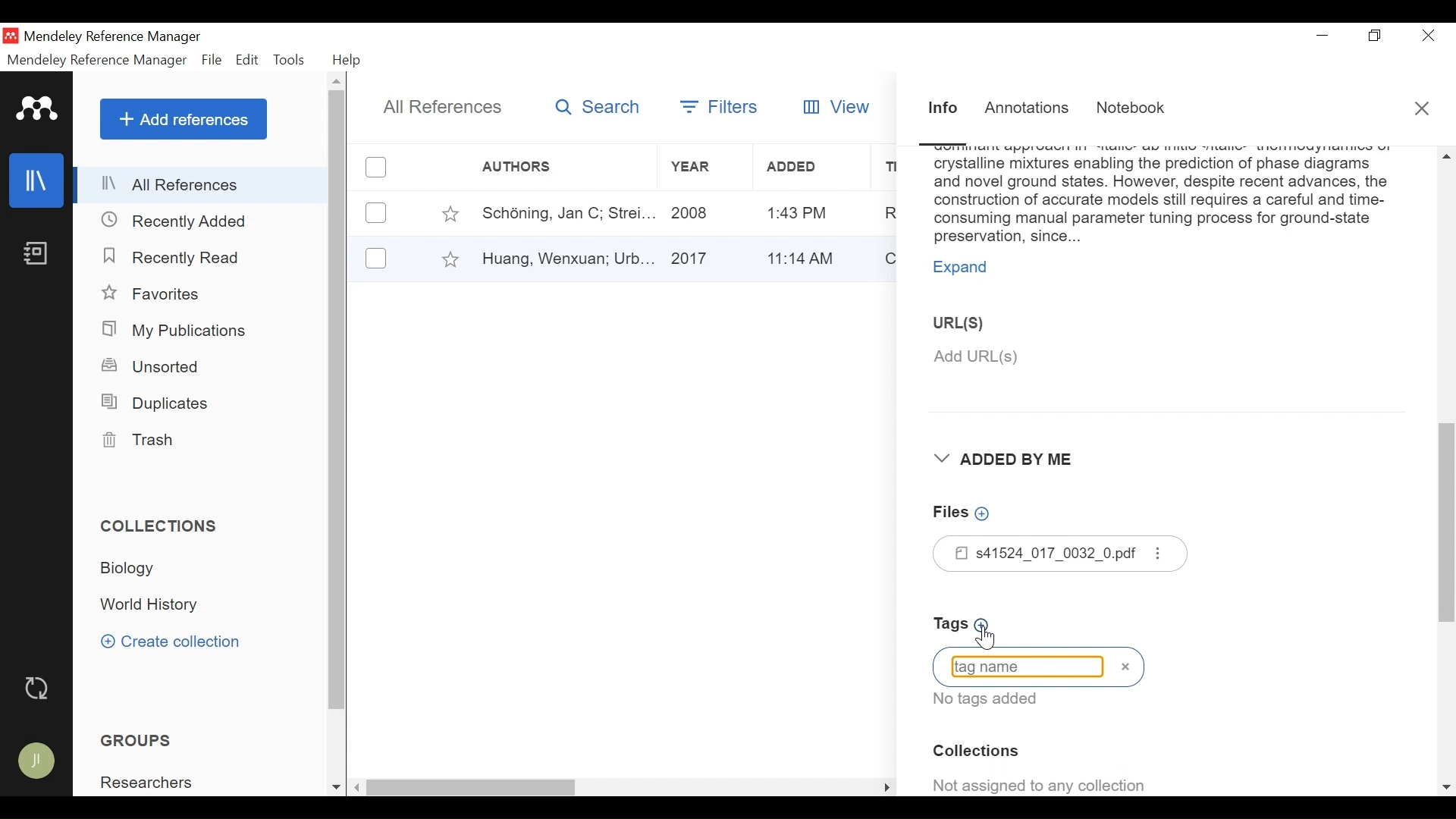  What do you see at coordinates (180, 259) in the screenshot?
I see `Recently Read` at bounding box center [180, 259].